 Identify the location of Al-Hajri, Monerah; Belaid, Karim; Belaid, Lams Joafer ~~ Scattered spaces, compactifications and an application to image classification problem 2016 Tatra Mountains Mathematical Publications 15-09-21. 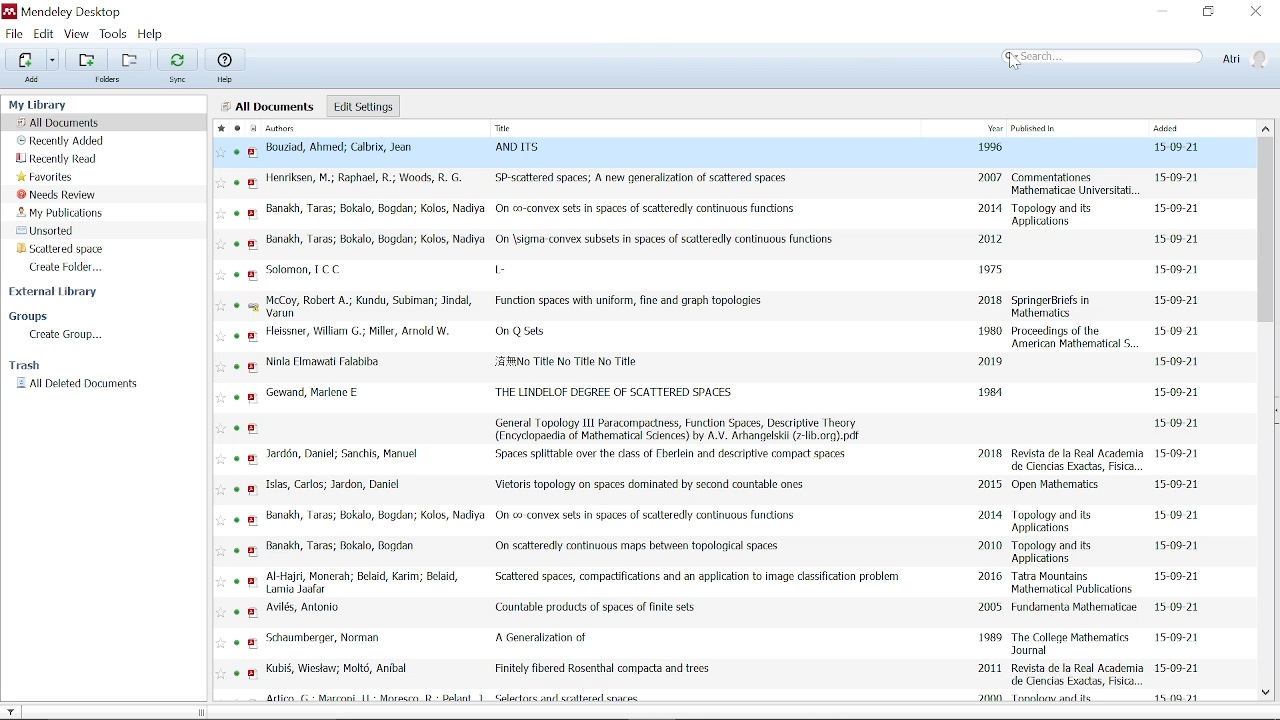
(727, 583).